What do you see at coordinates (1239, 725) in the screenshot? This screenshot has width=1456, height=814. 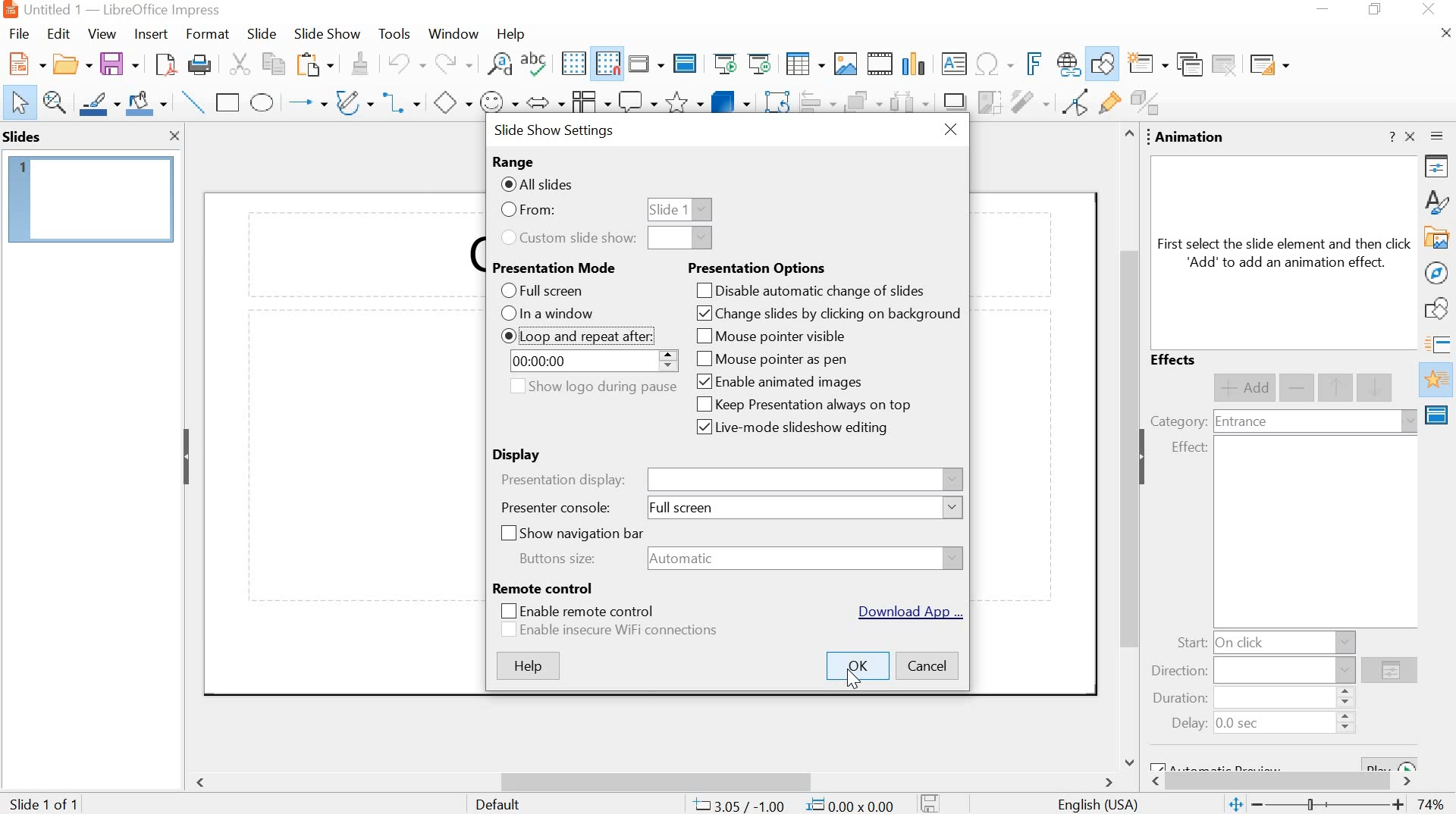 I see `0.0 sec` at bounding box center [1239, 725].